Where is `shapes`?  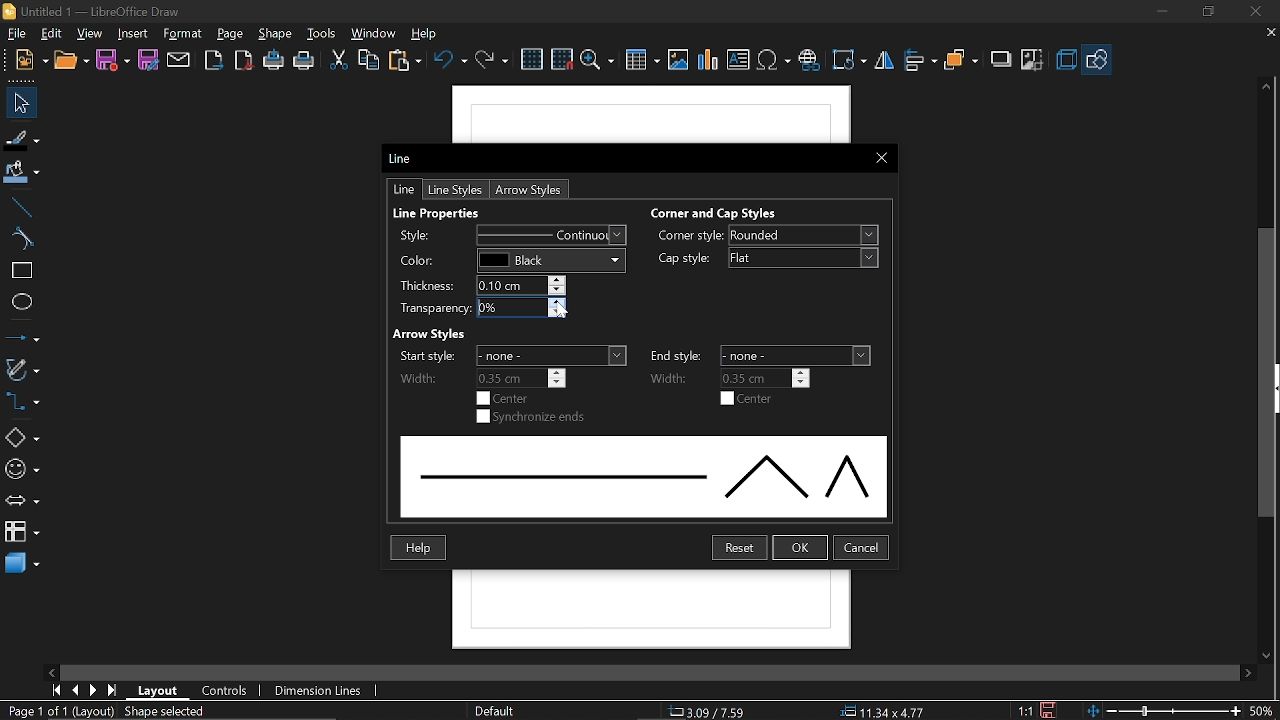 shapes is located at coordinates (1096, 58).